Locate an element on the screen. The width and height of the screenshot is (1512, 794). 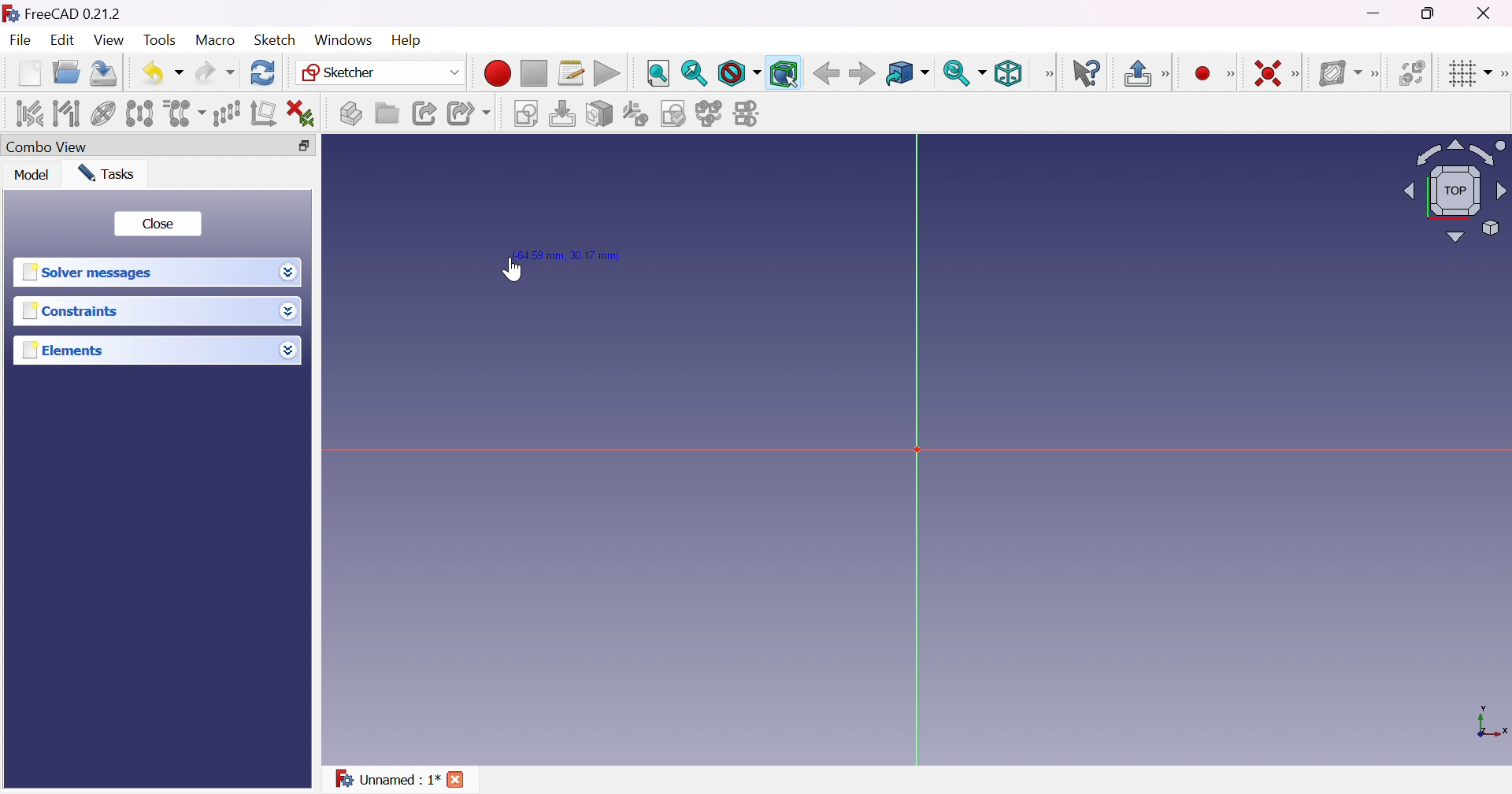
Fit all is located at coordinates (658, 72).